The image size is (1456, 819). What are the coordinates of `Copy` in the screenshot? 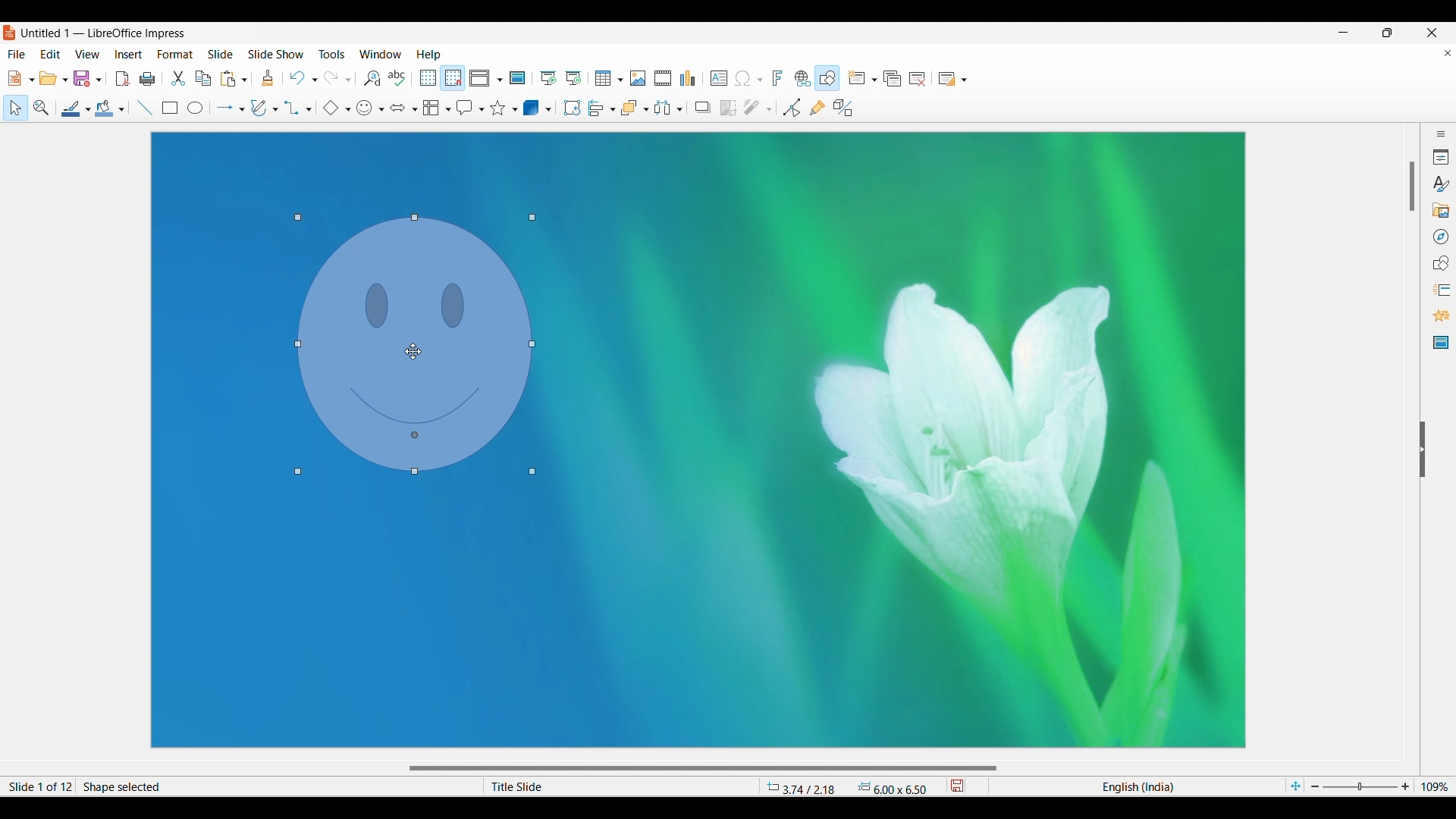 It's located at (203, 79).